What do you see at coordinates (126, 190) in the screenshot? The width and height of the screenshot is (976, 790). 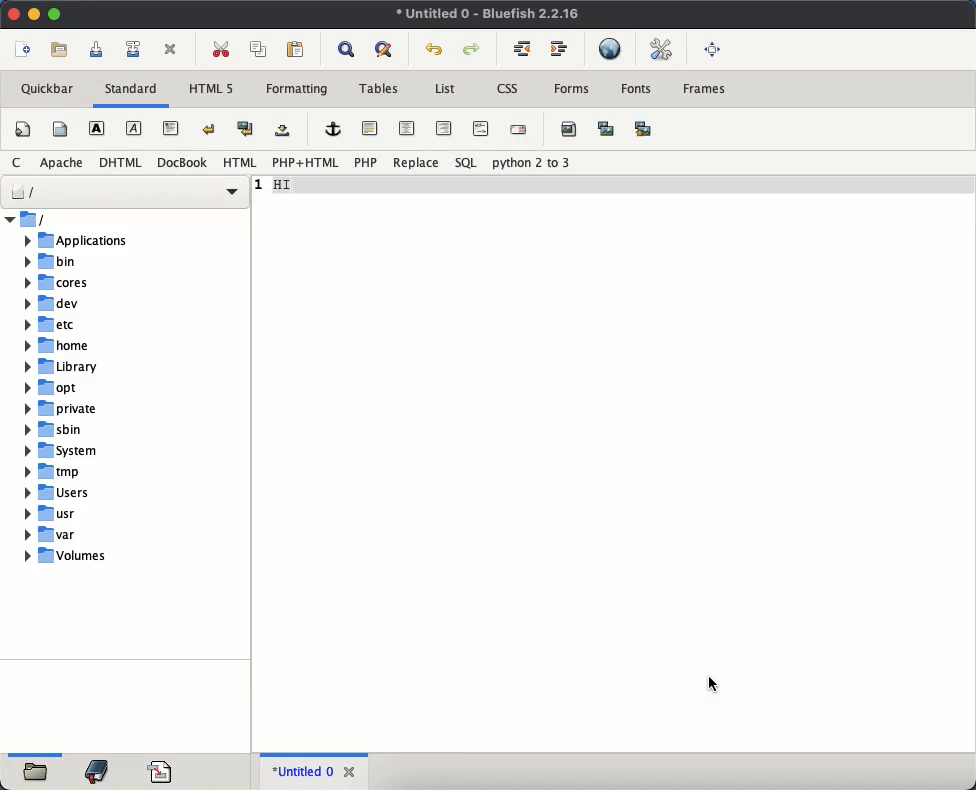 I see `filter` at bounding box center [126, 190].